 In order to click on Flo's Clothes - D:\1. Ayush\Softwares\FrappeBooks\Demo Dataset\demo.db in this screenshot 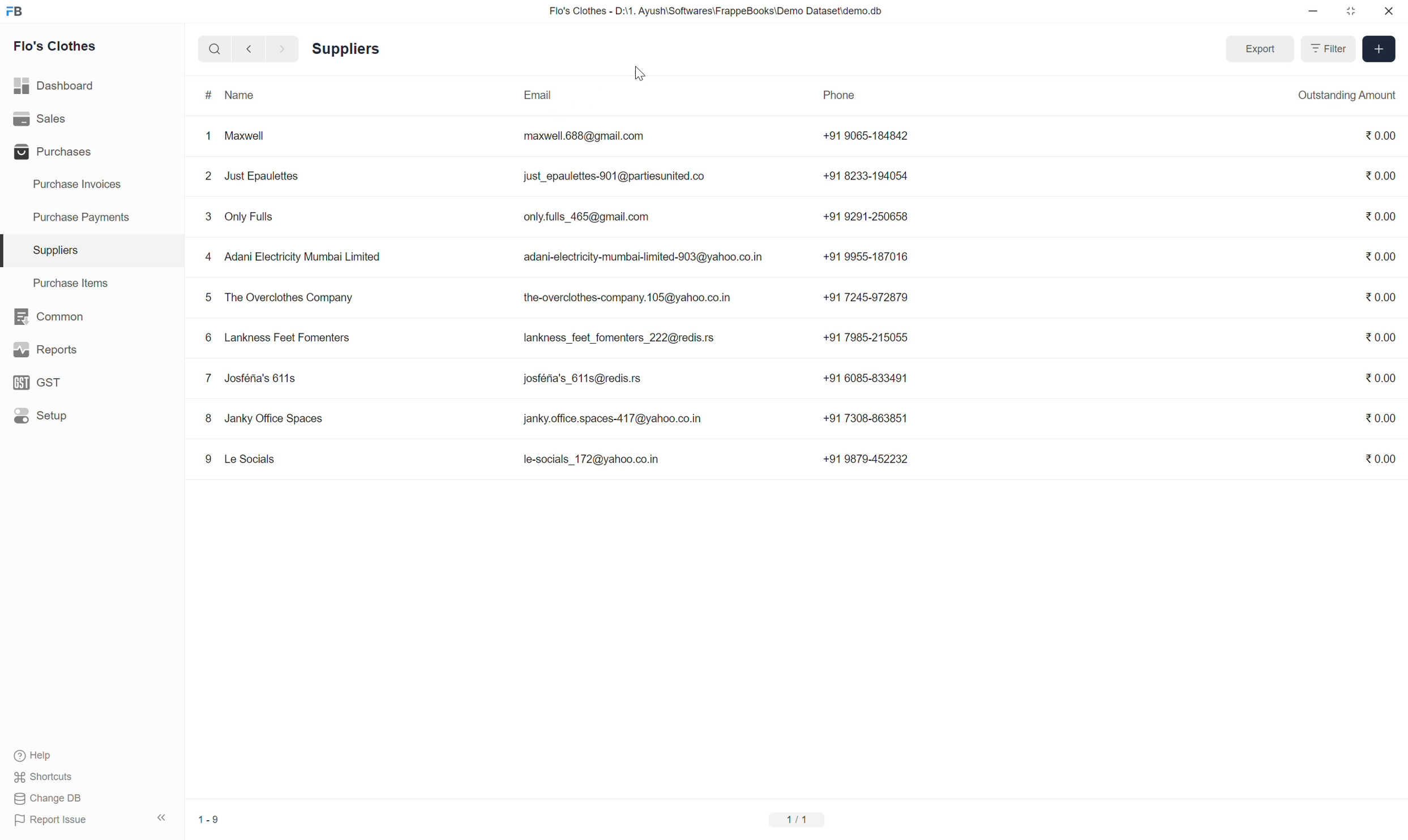, I will do `click(714, 11)`.